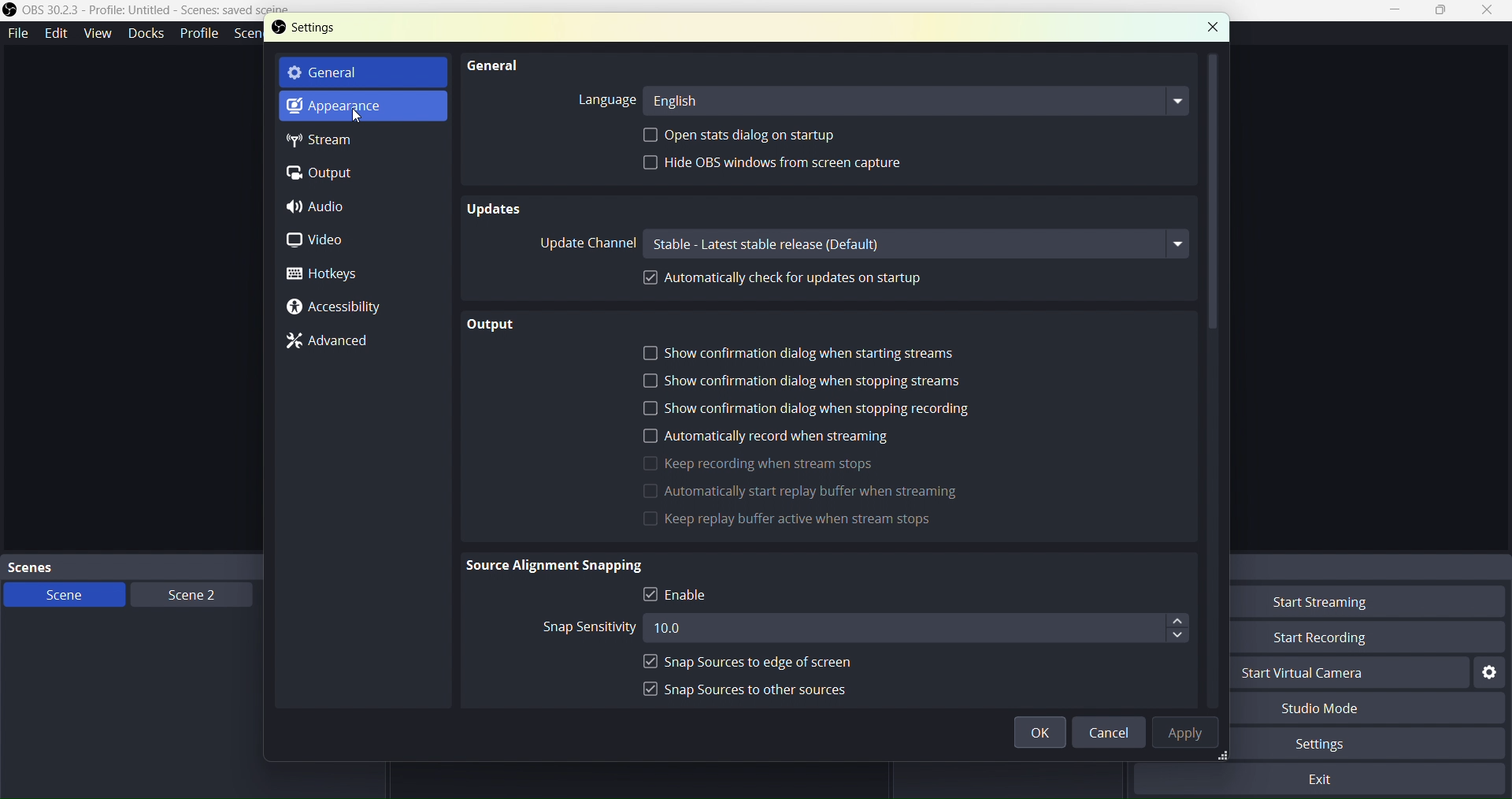  Describe the element at coordinates (173, 566) in the screenshot. I see `Scenes` at that location.